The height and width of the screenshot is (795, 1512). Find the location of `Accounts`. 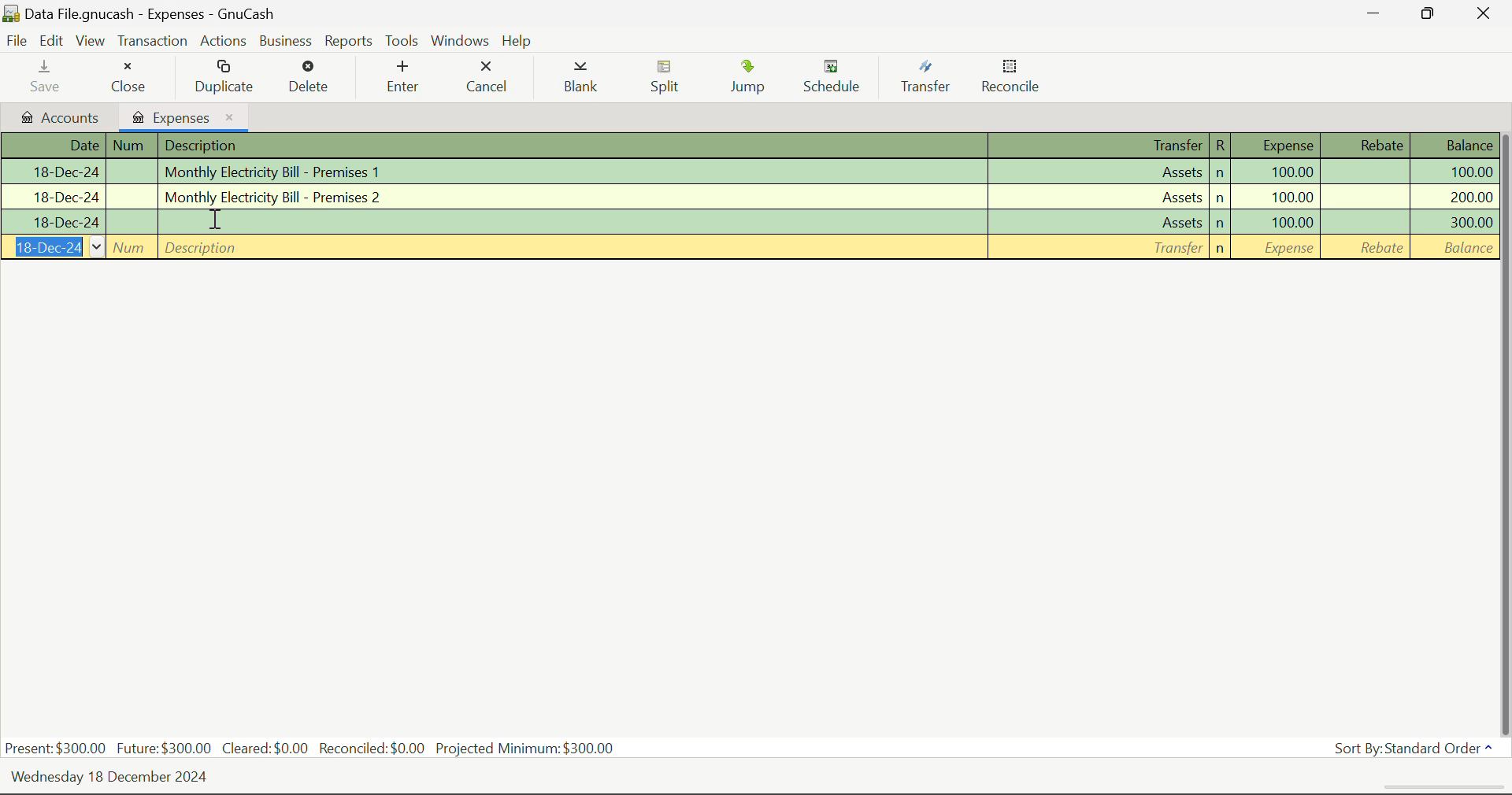

Accounts is located at coordinates (57, 117).